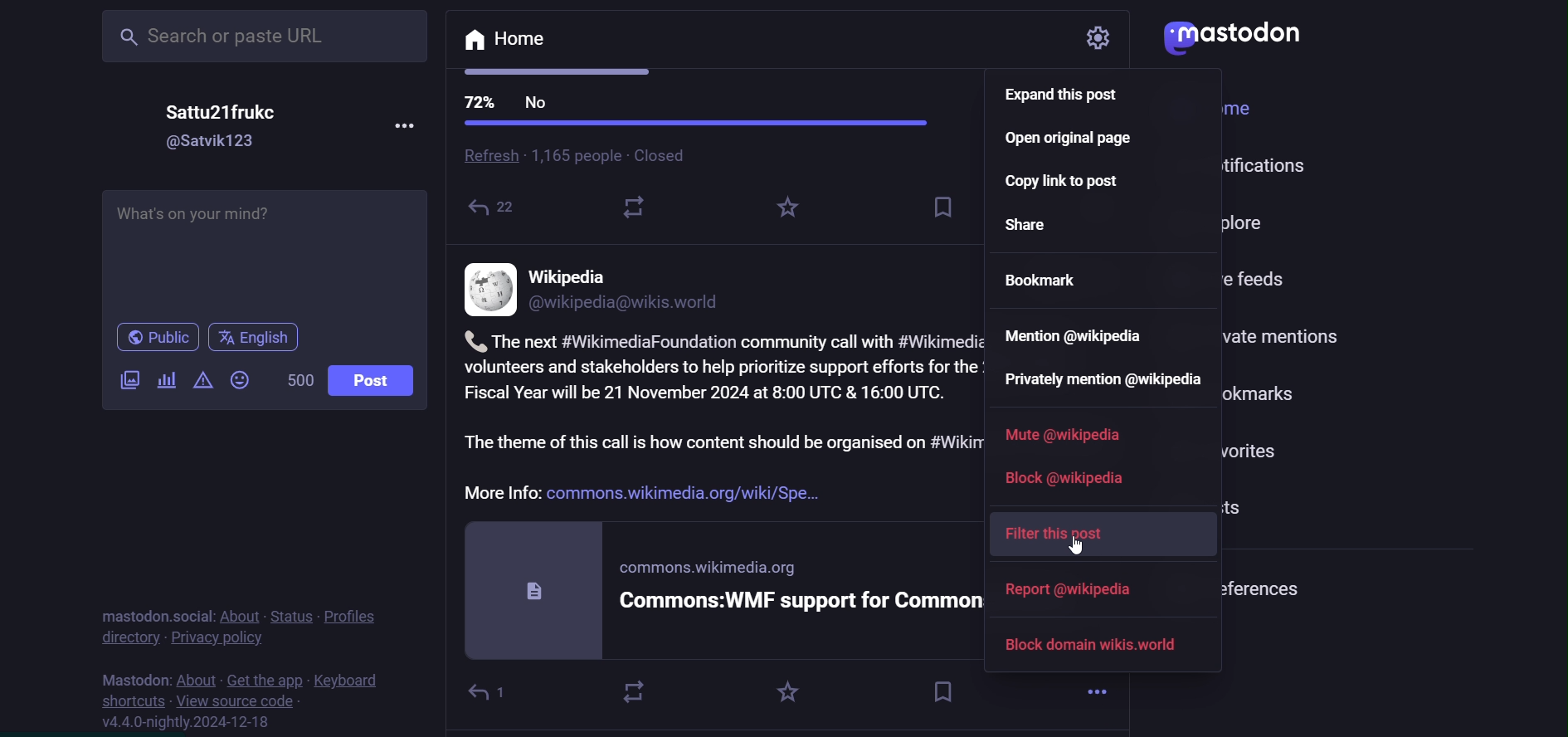 The height and width of the screenshot is (737, 1568). Describe the element at coordinates (1048, 282) in the screenshot. I see `bookmark` at that location.